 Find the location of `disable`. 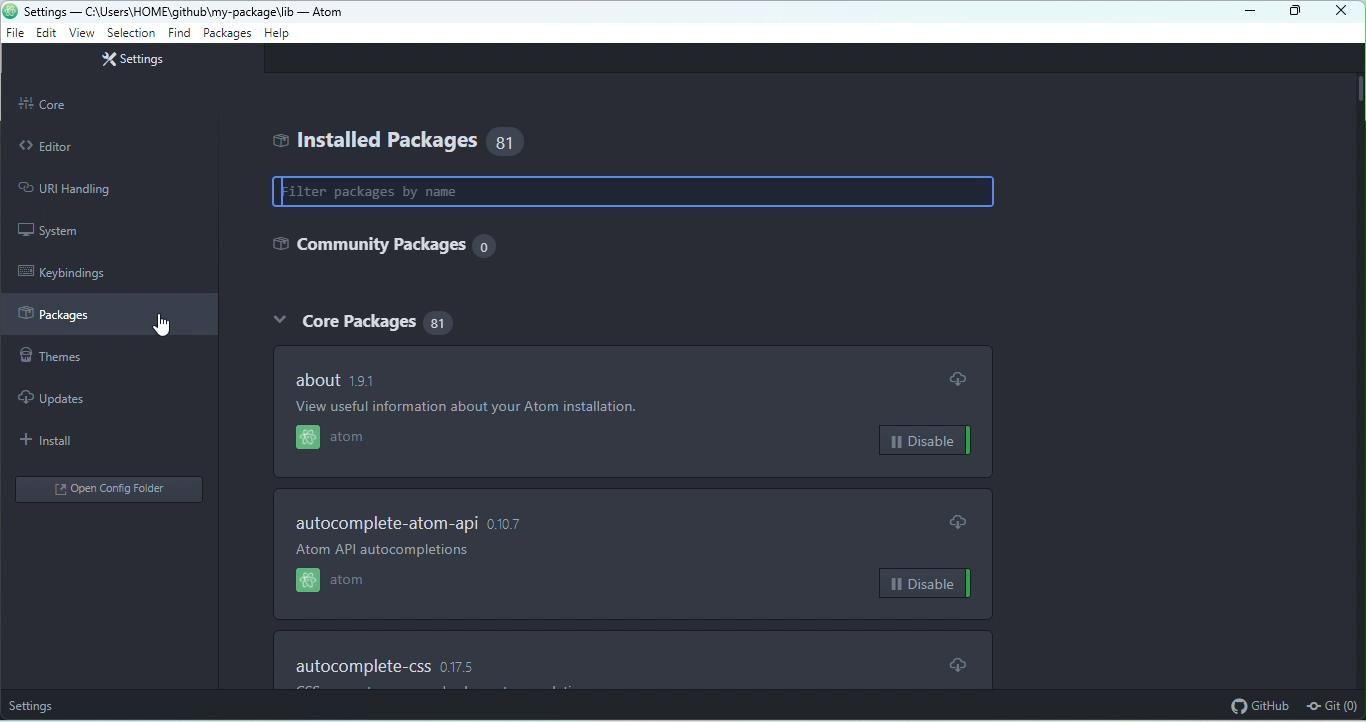

disable is located at coordinates (927, 583).